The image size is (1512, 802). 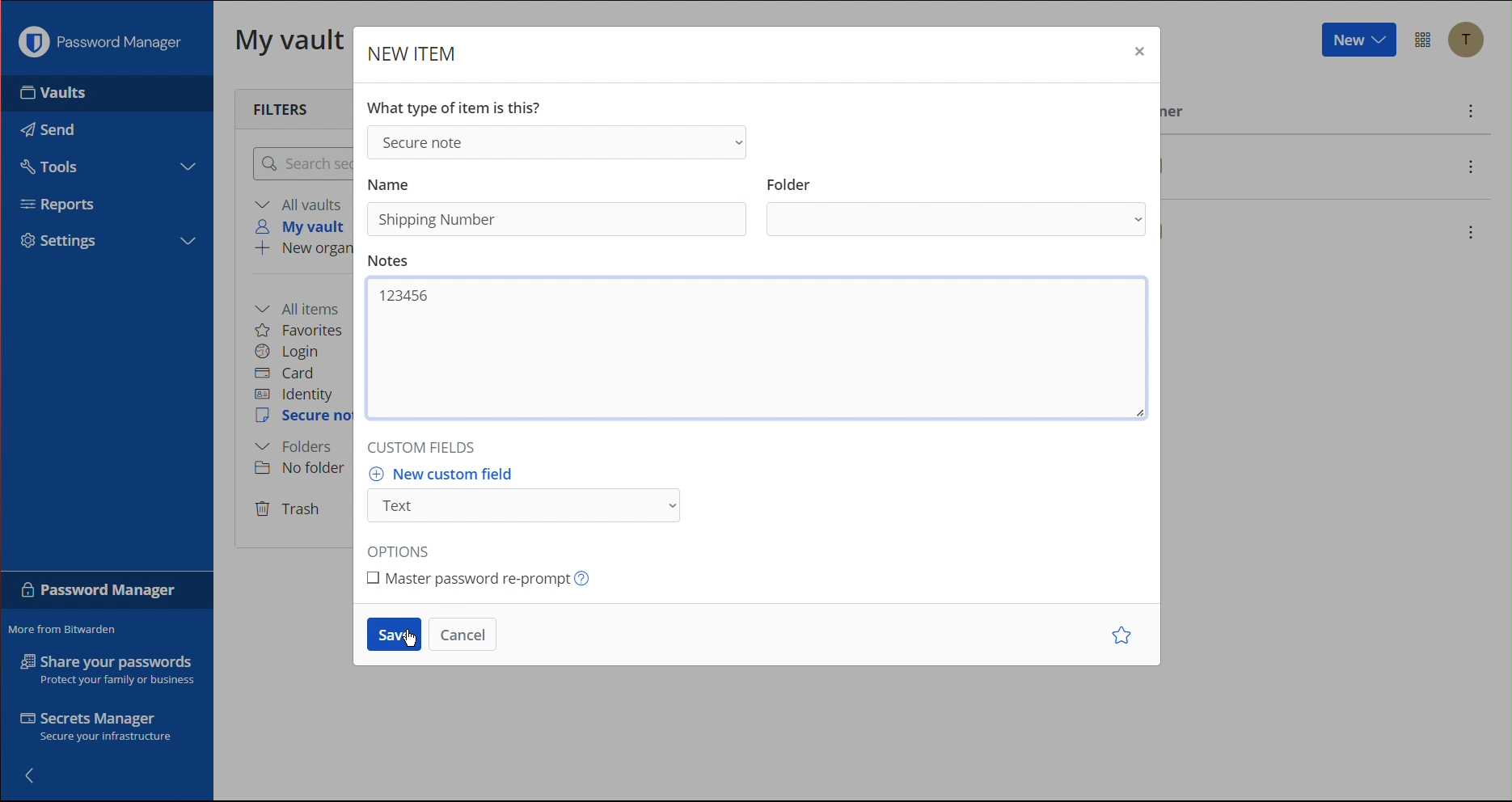 I want to click on Account, so click(x=1469, y=40).